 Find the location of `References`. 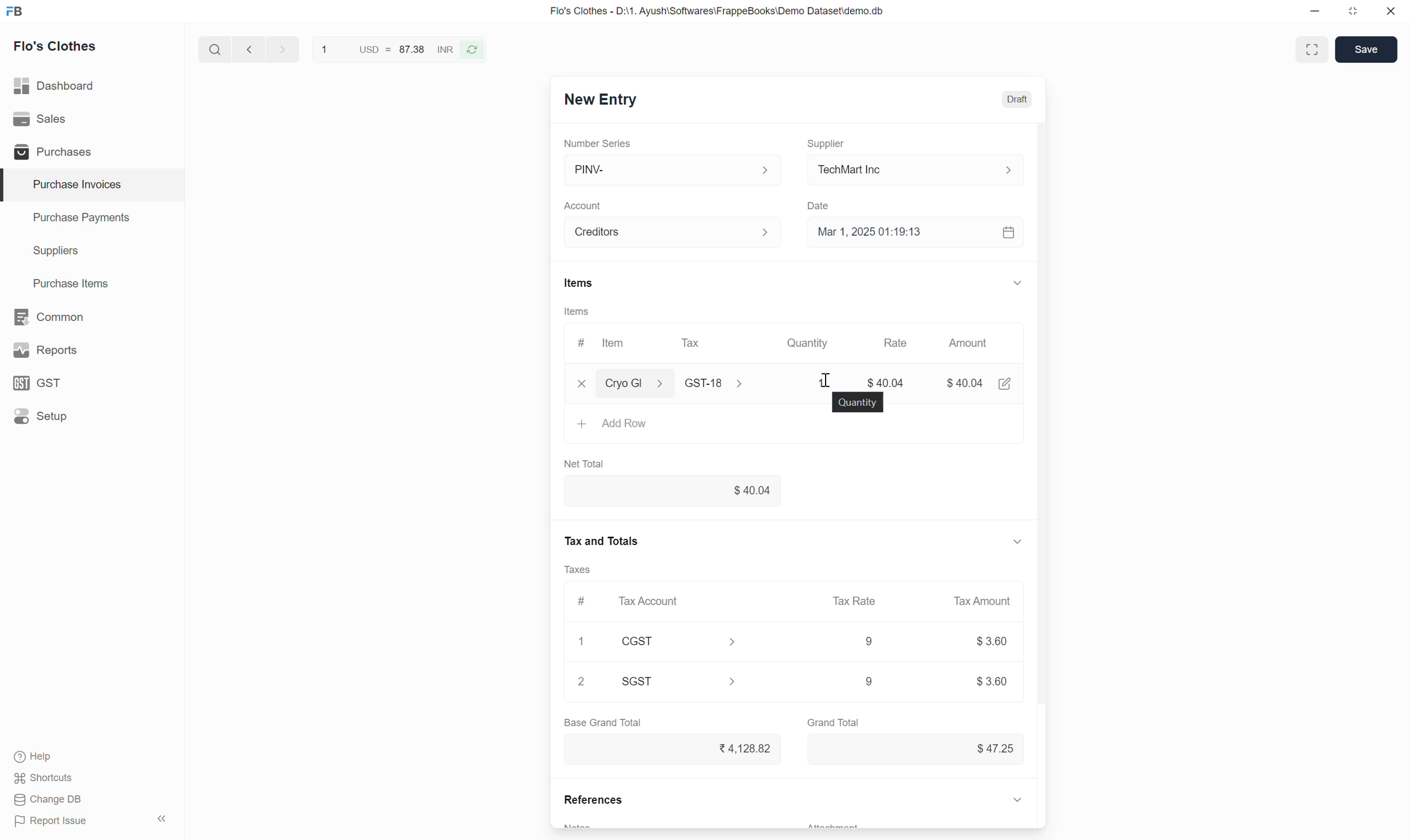

References is located at coordinates (591, 802).